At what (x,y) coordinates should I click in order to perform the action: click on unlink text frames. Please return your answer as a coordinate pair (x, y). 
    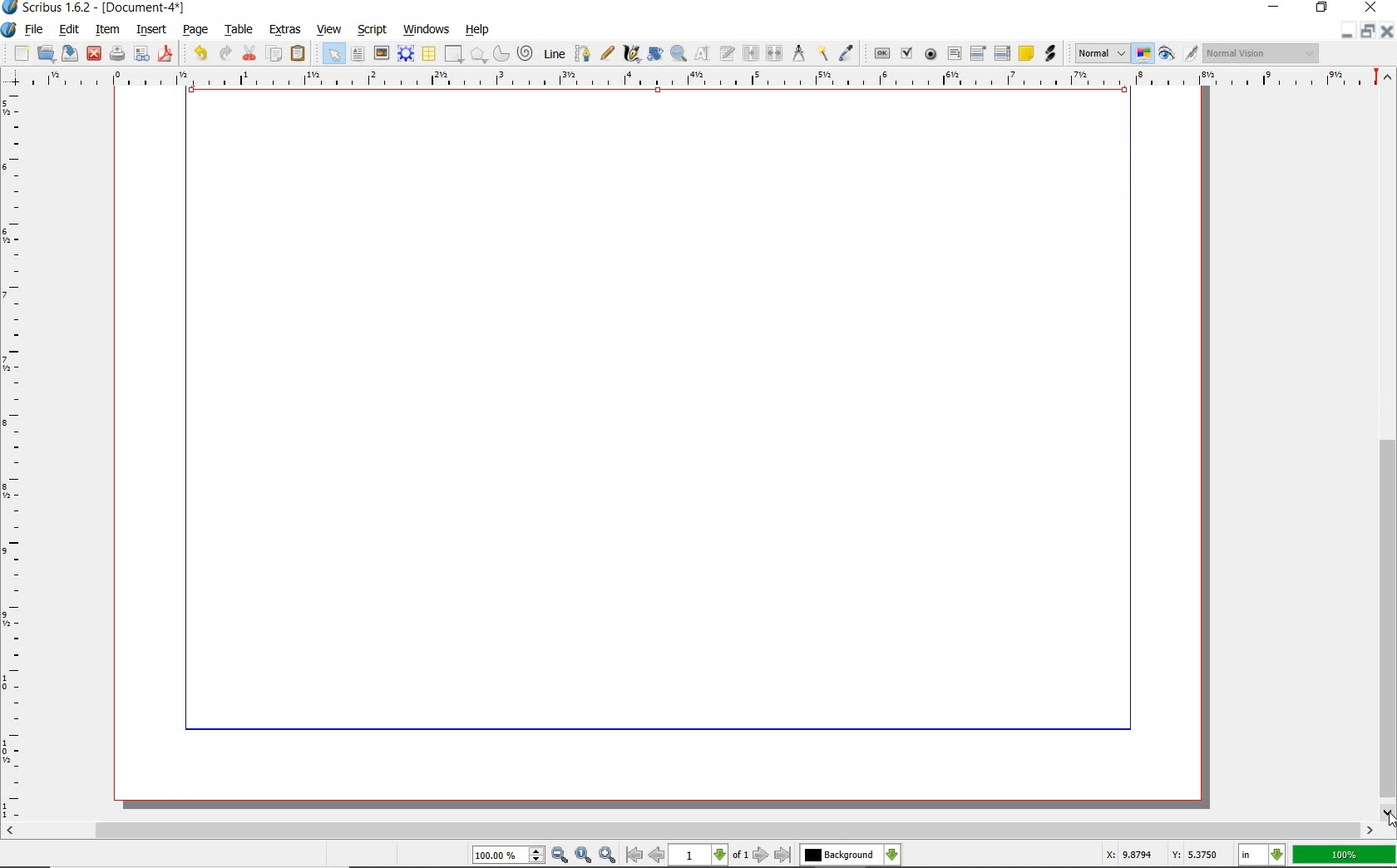
    Looking at the image, I should click on (773, 52).